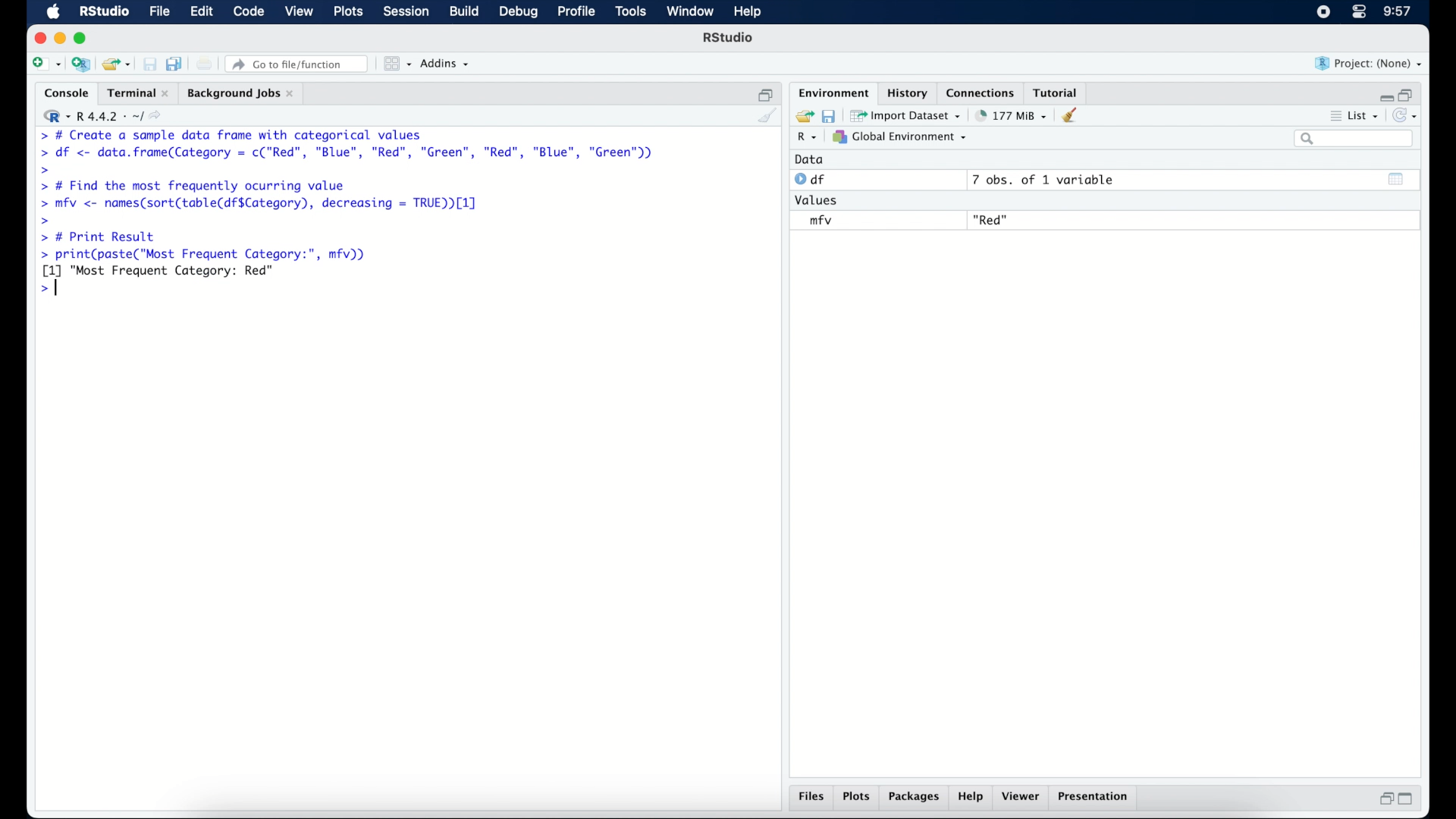 This screenshot has height=819, width=1456. I want to click on df, so click(811, 180).